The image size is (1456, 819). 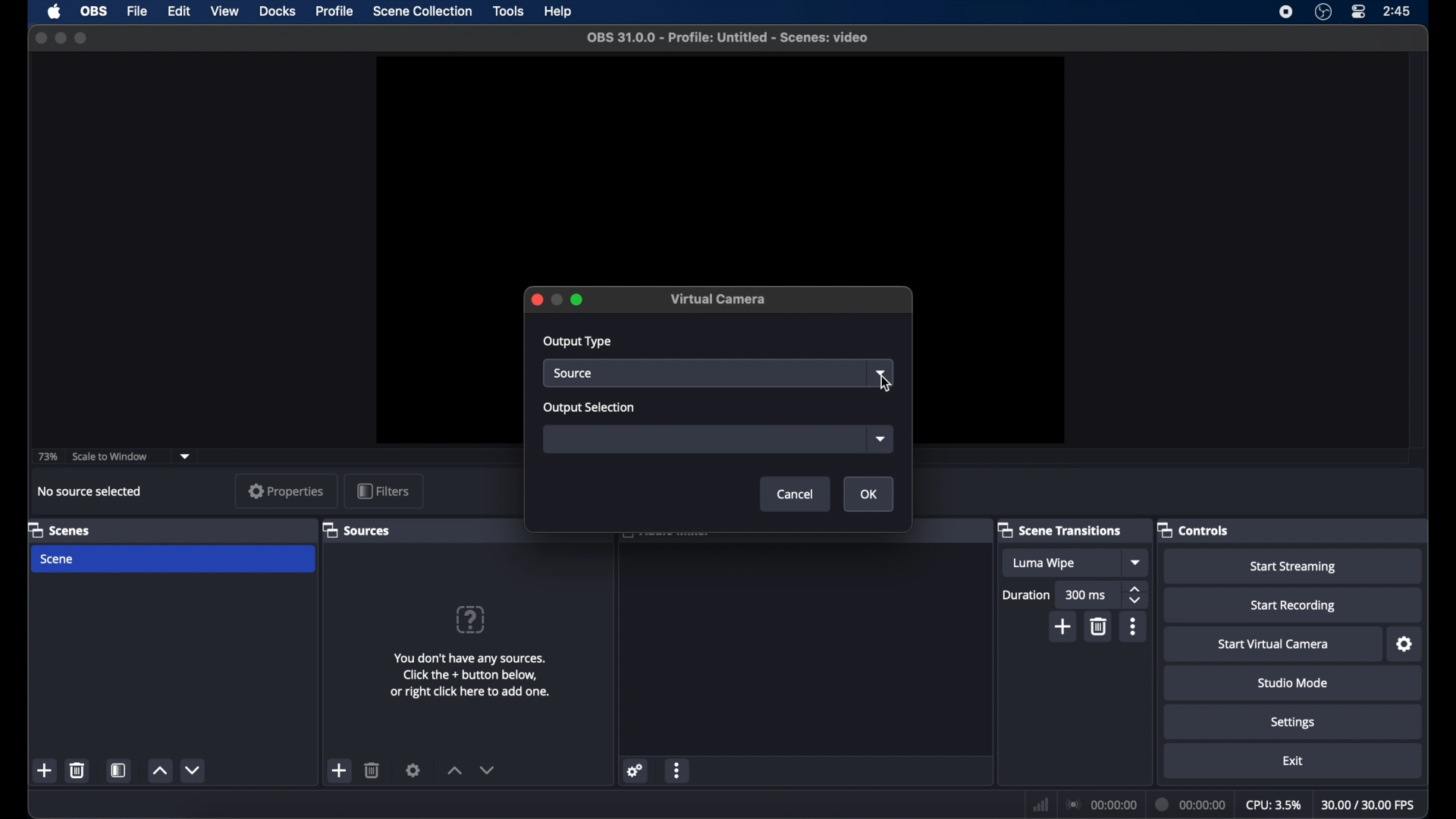 I want to click on connection, so click(x=1100, y=804).